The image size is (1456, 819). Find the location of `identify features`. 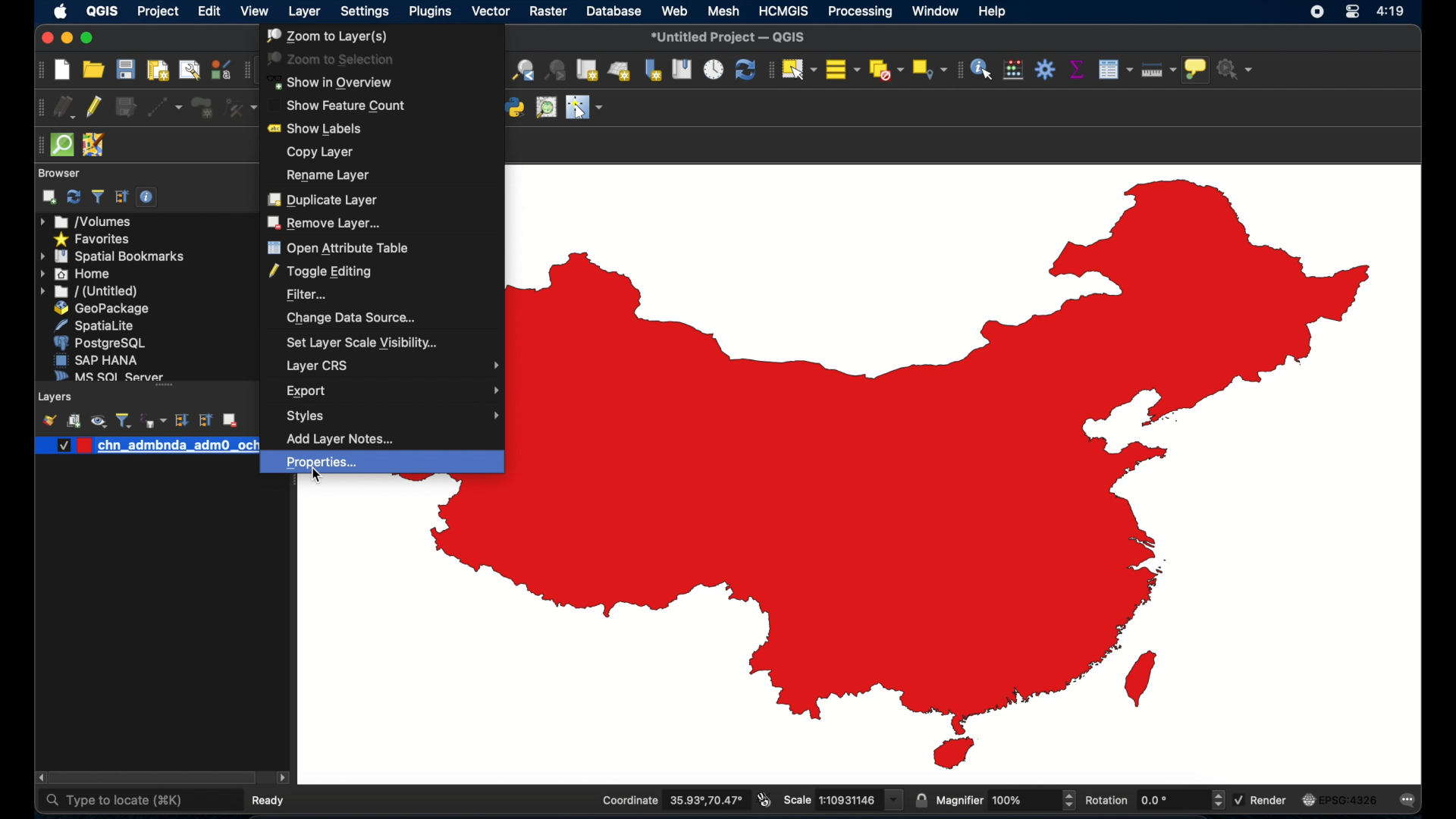

identify features is located at coordinates (981, 71).